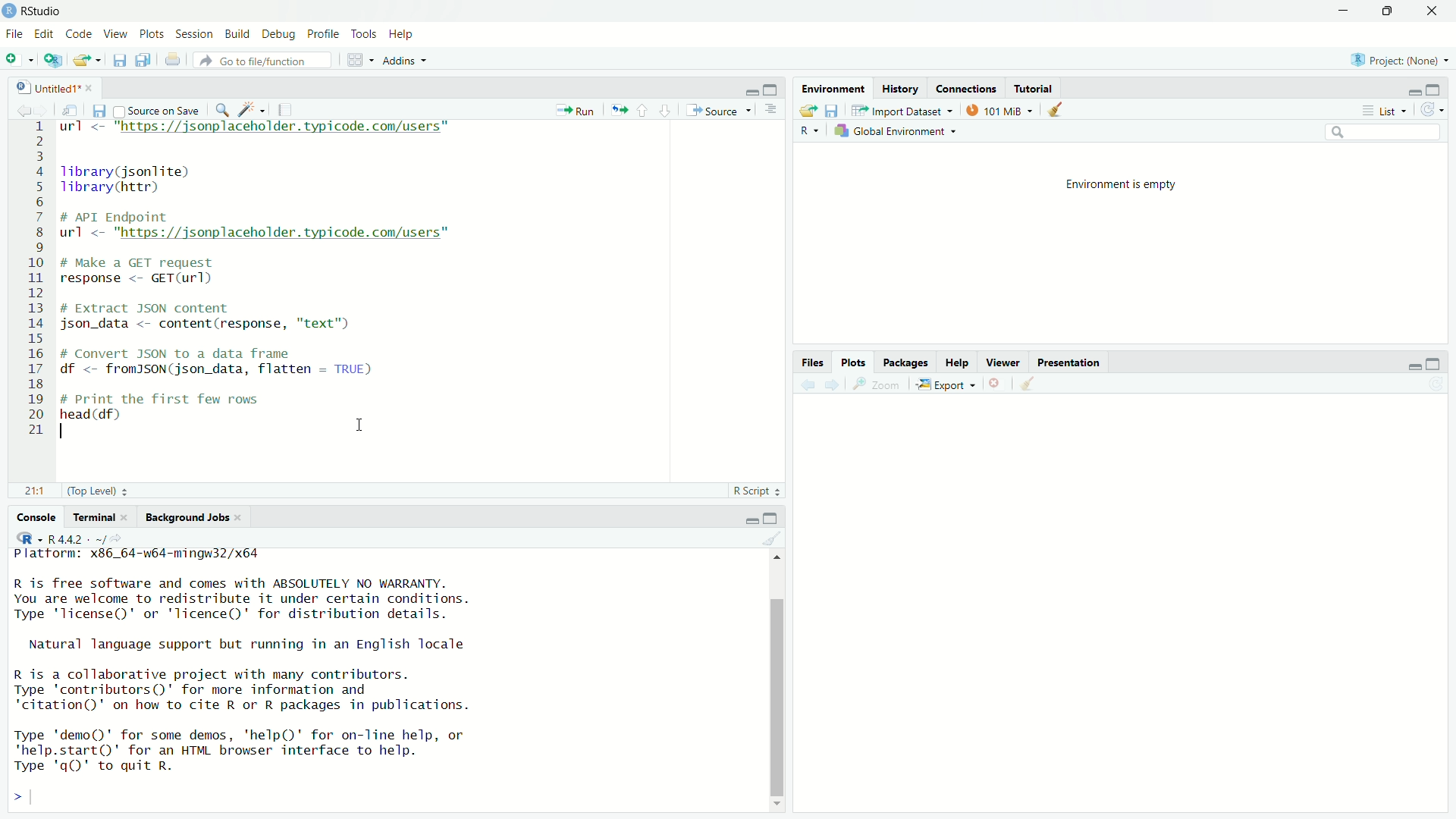 The width and height of the screenshot is (1456, 819). Describe the element at coordinates (1001, 111) in the screenshot. I see `101 MiB` at that location.